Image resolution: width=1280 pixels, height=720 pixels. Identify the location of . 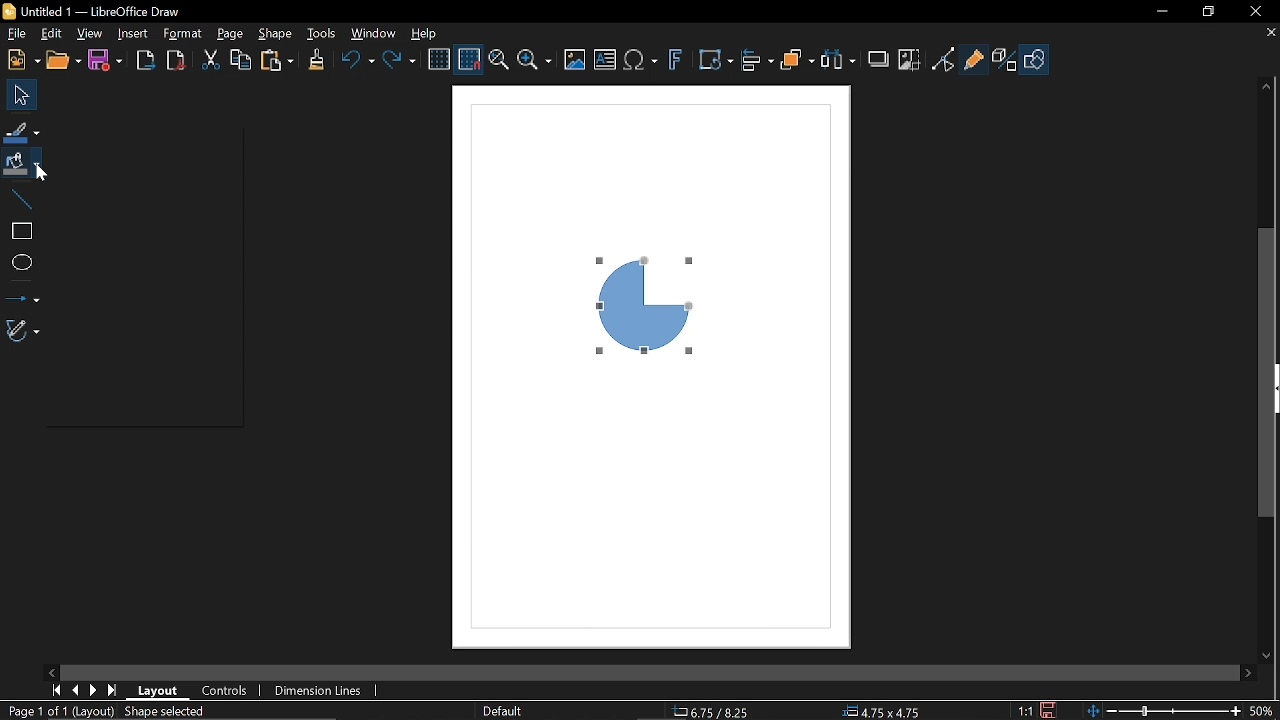
(98, 688).